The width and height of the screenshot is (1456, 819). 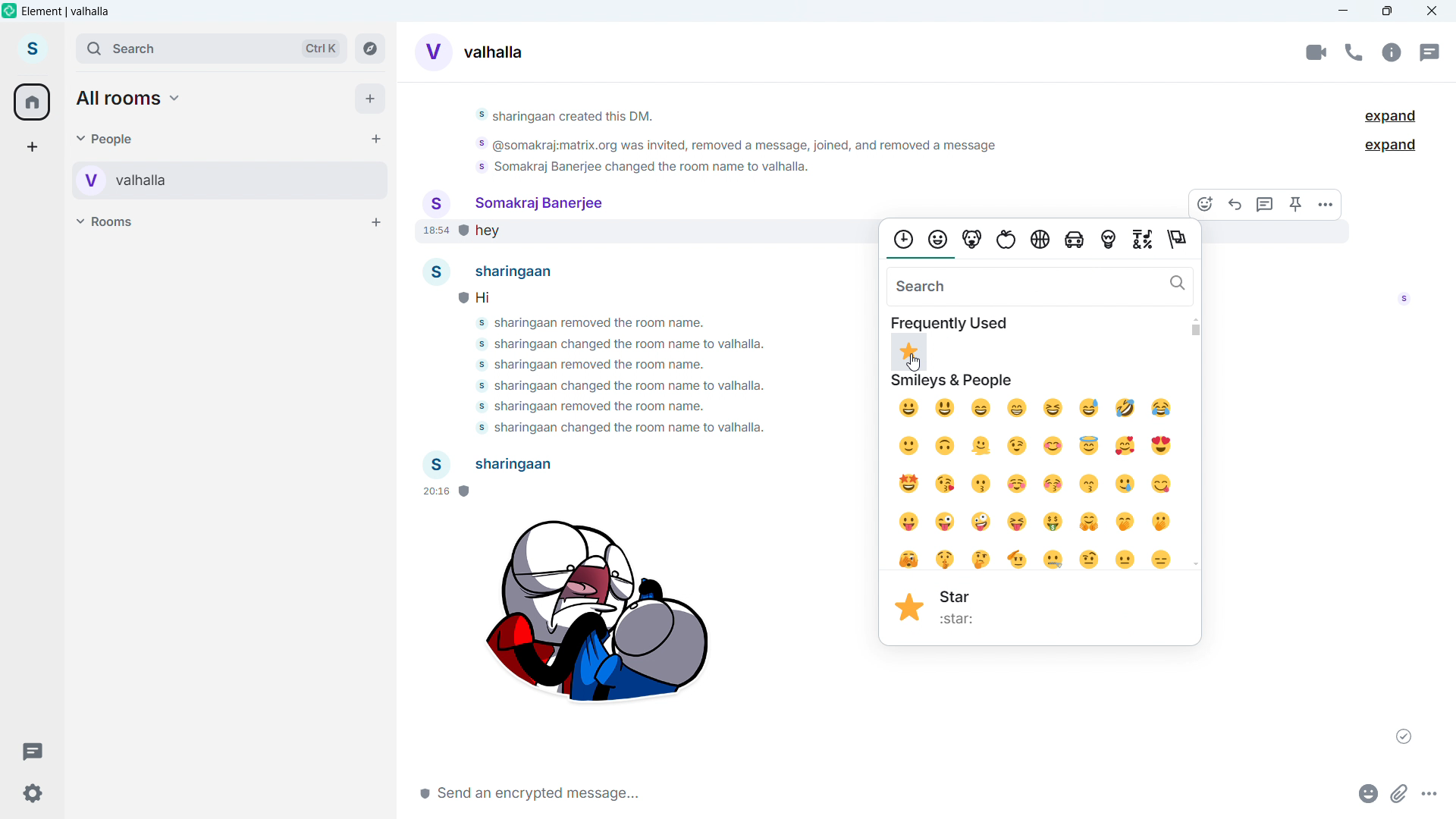 What do you see at coordinates (1018, 558) in the screenshot?
I see `saluting face` at bounding box center [1018, 558].